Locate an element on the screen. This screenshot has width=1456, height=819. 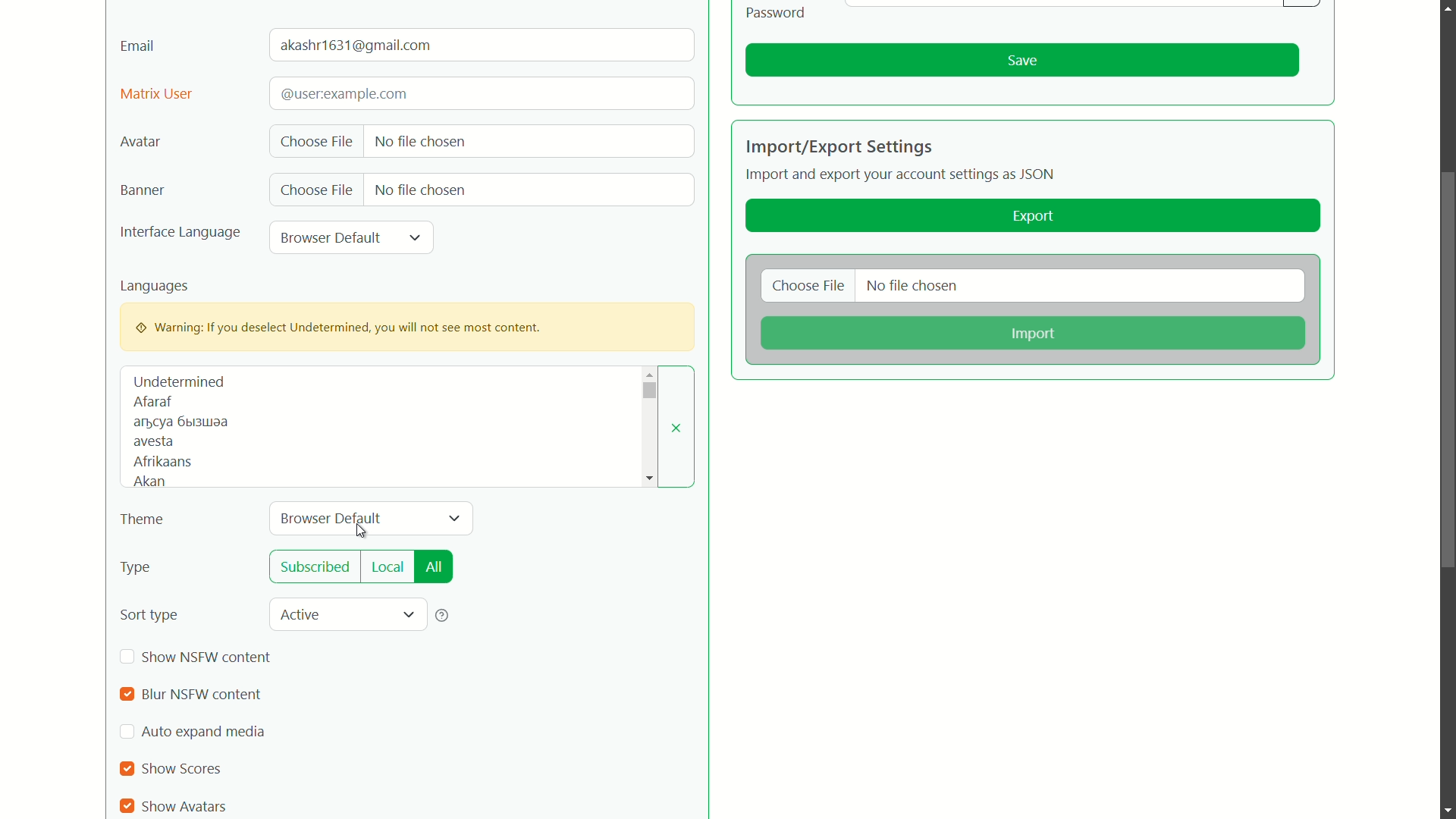
no file chosen is located at coordinates (420, 140).